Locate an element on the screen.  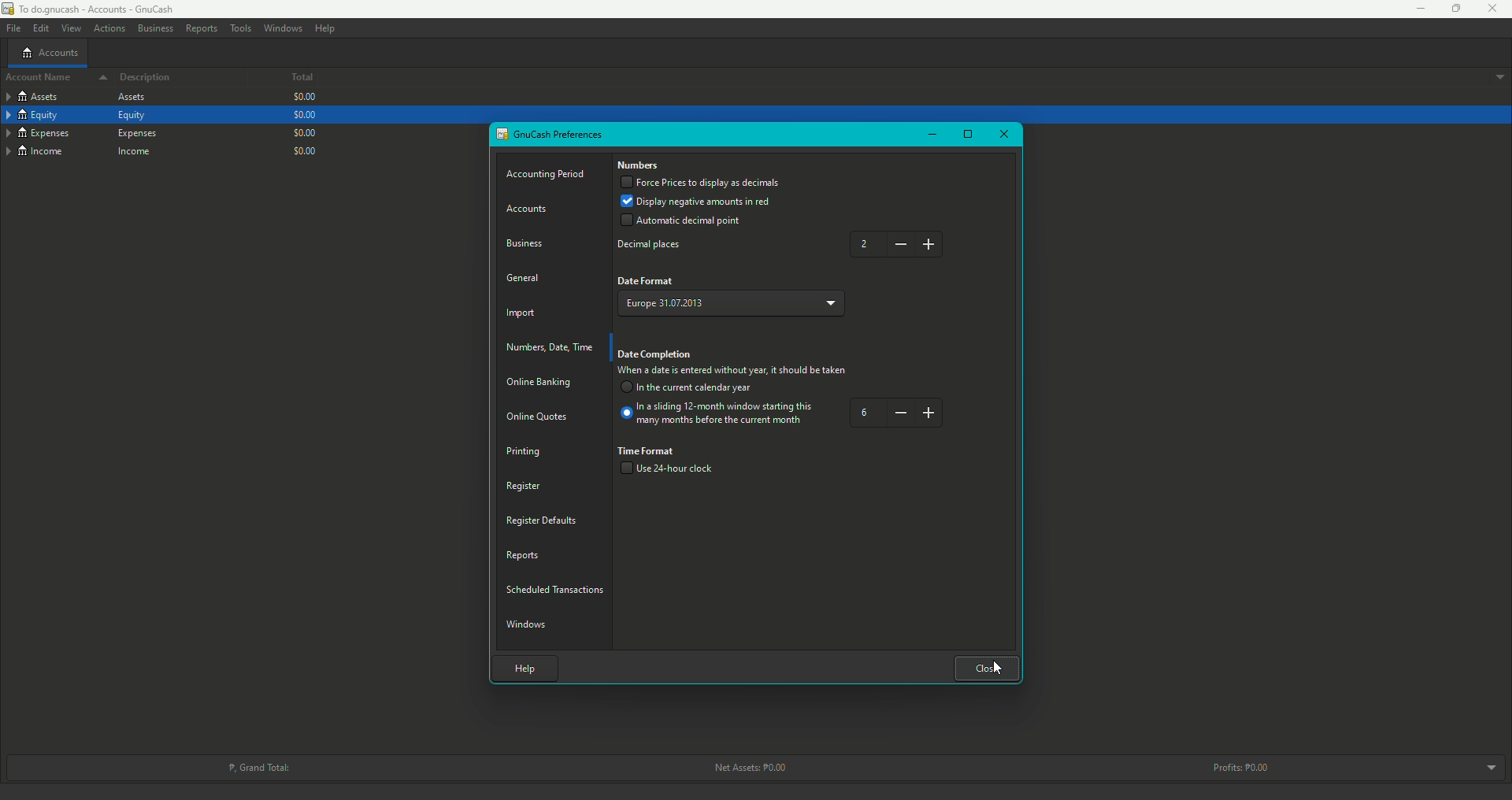
Business is located at coordinates (528, 242).